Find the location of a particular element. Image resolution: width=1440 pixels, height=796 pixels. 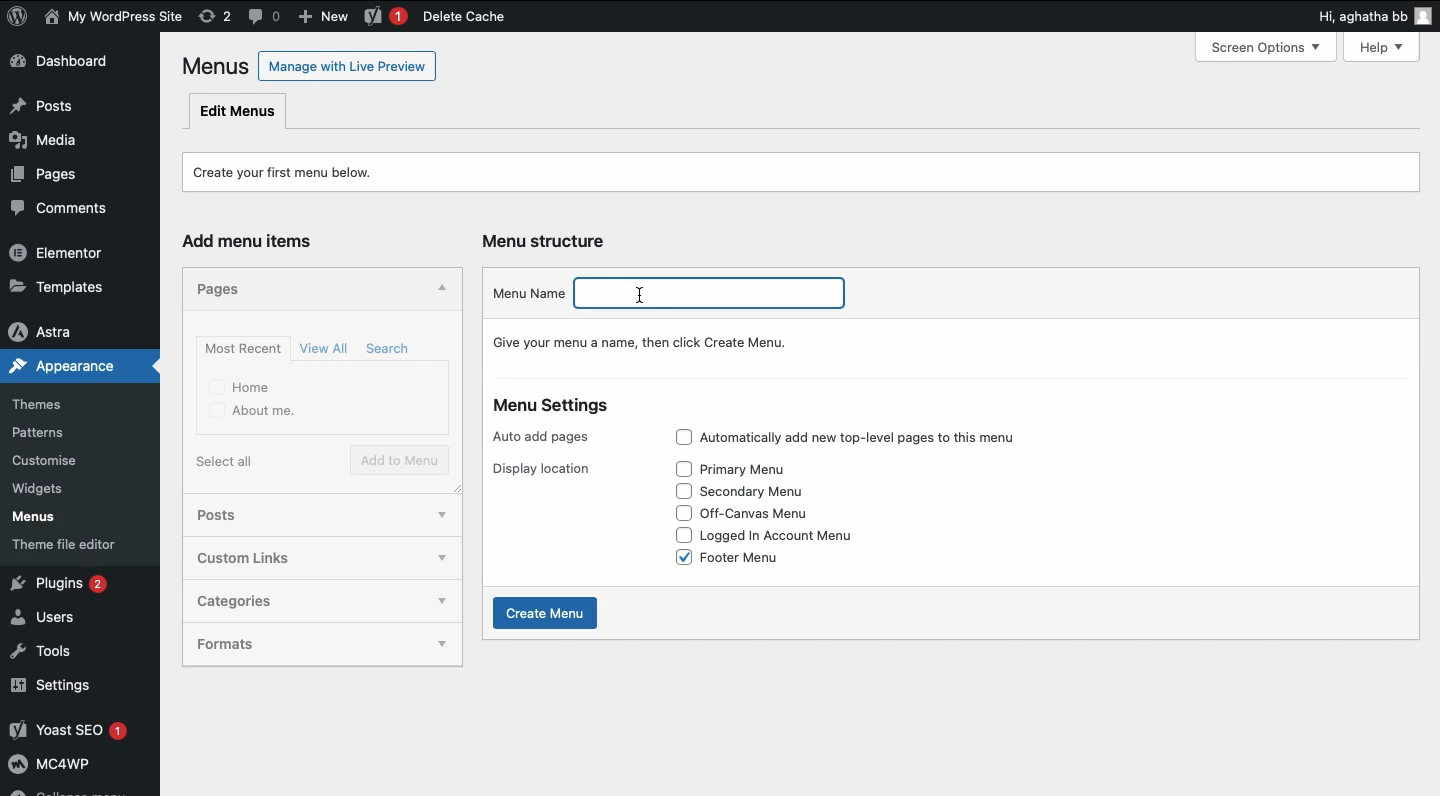

Menus is located at coordinates (48, 519).